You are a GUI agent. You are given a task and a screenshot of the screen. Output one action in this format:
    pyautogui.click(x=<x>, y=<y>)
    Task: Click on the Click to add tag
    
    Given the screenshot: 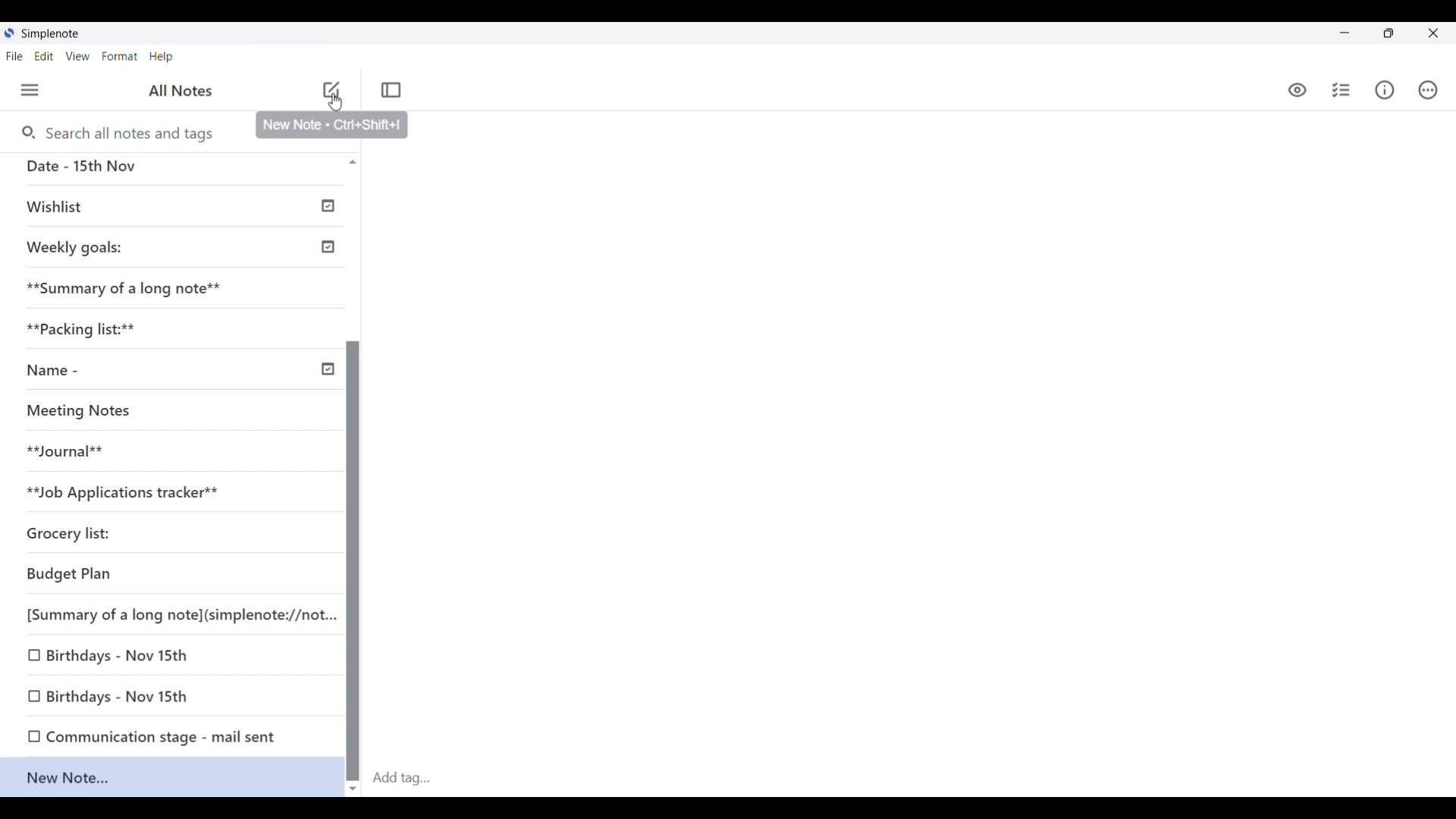 What is the action you would take?
    pyautogui.click(x=905, y=773)
    